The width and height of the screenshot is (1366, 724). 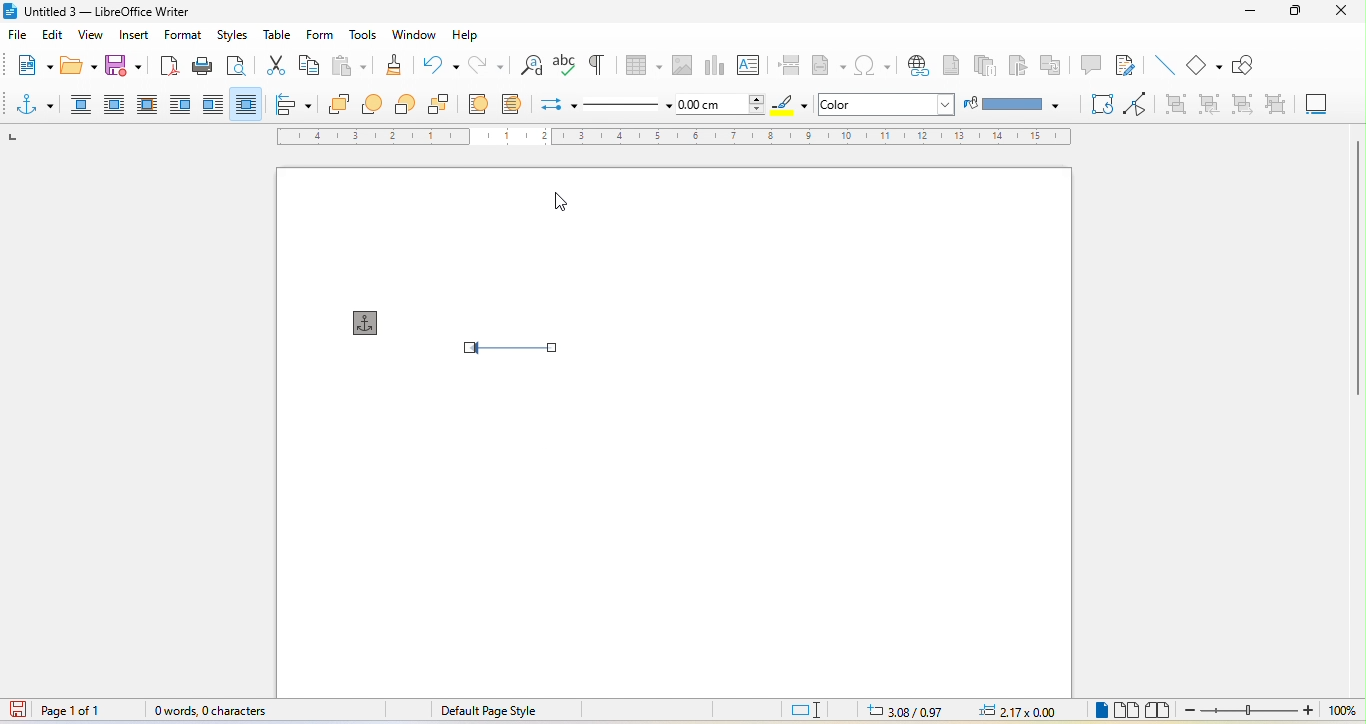 What do you see at coordinates (788, 65) in the screenshot?
I see `page break` at bounding box center [788, 65].